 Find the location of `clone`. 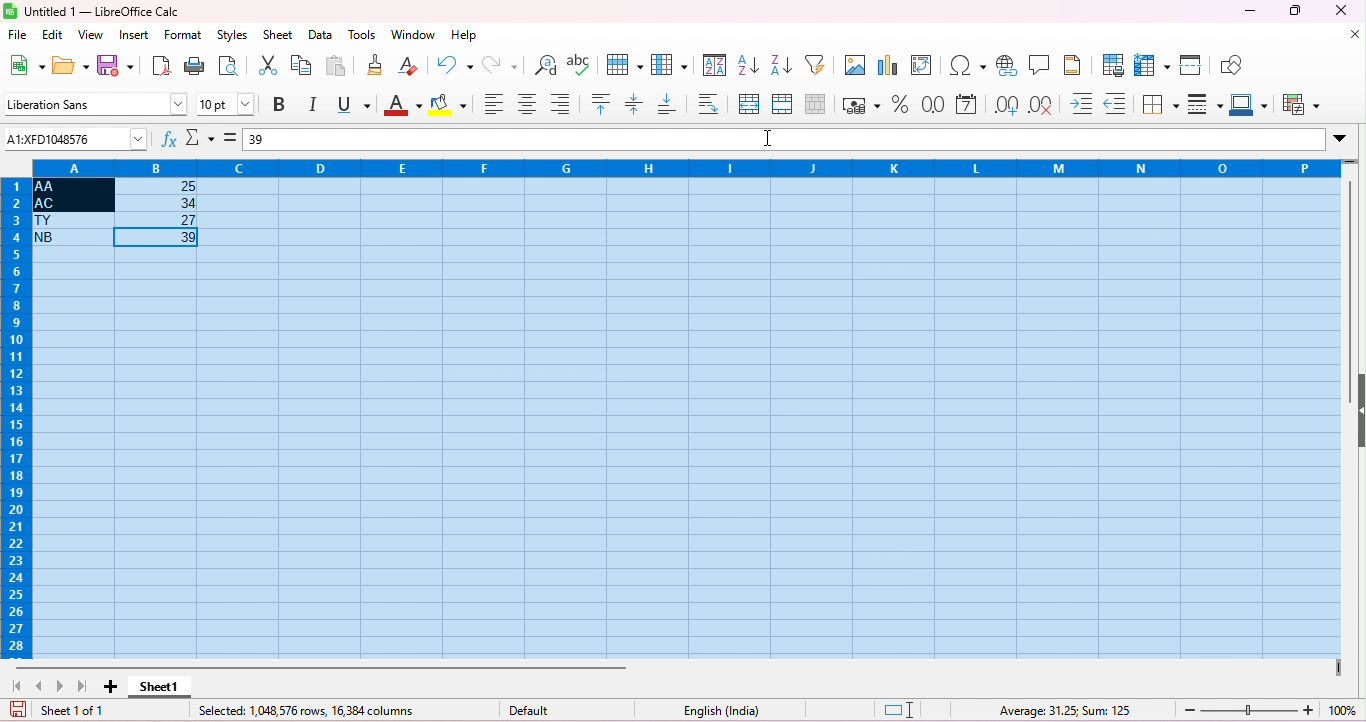

clone is located at coordinates (377, 64).